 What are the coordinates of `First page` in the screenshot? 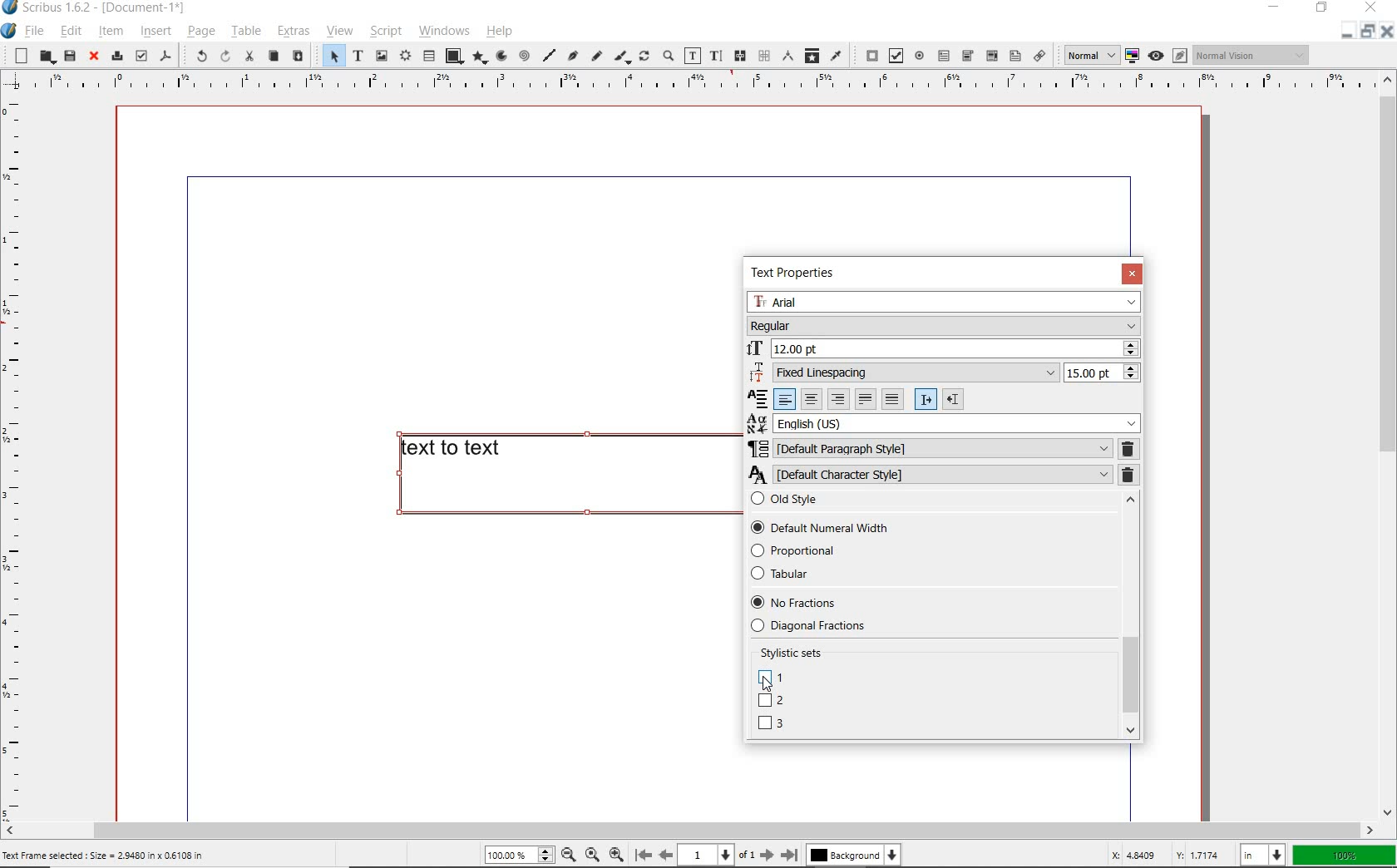 It's located at (642, 856).